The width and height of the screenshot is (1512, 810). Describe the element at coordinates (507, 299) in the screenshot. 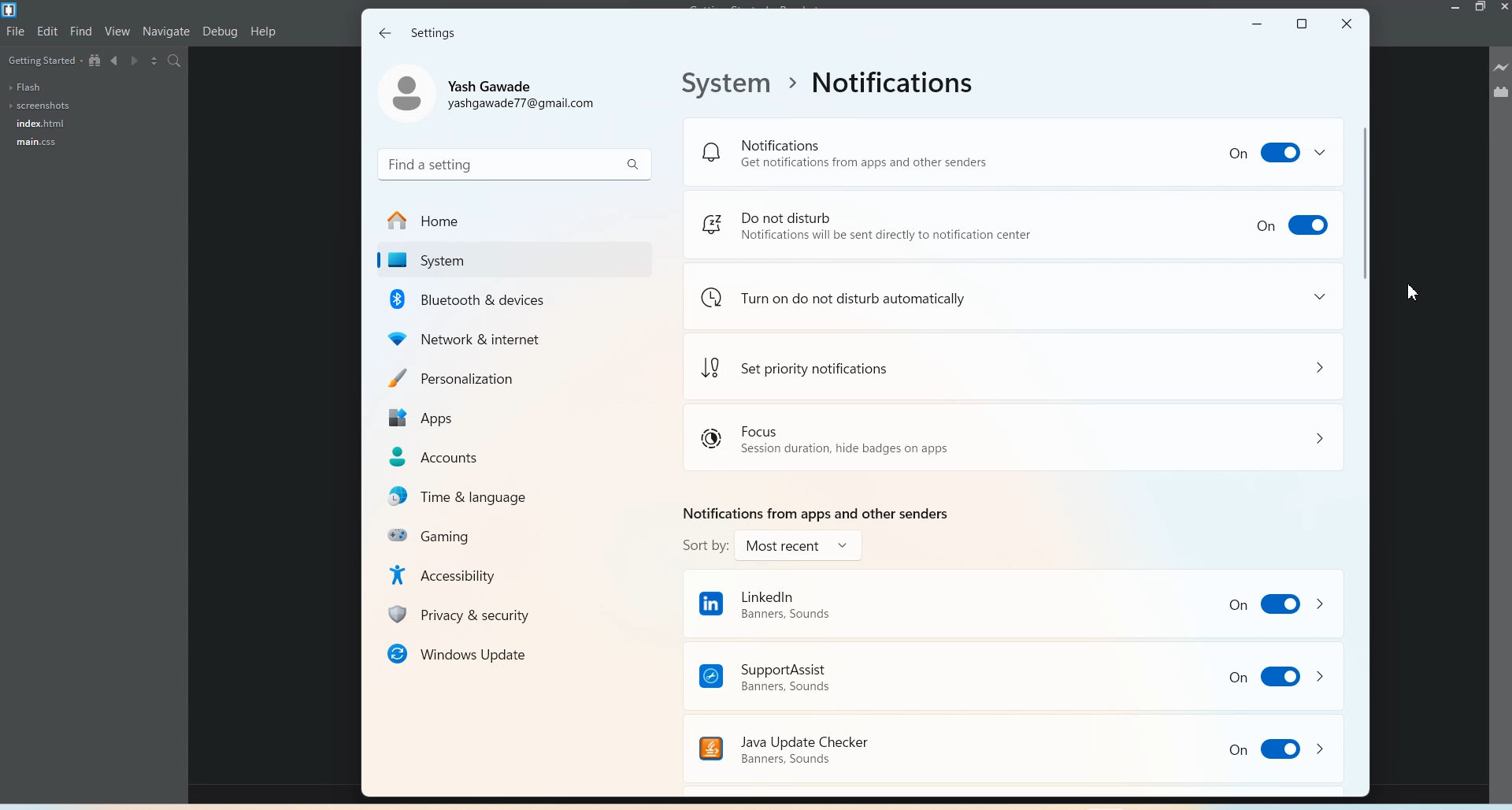

I see `Bluetooth & devices` at that location.